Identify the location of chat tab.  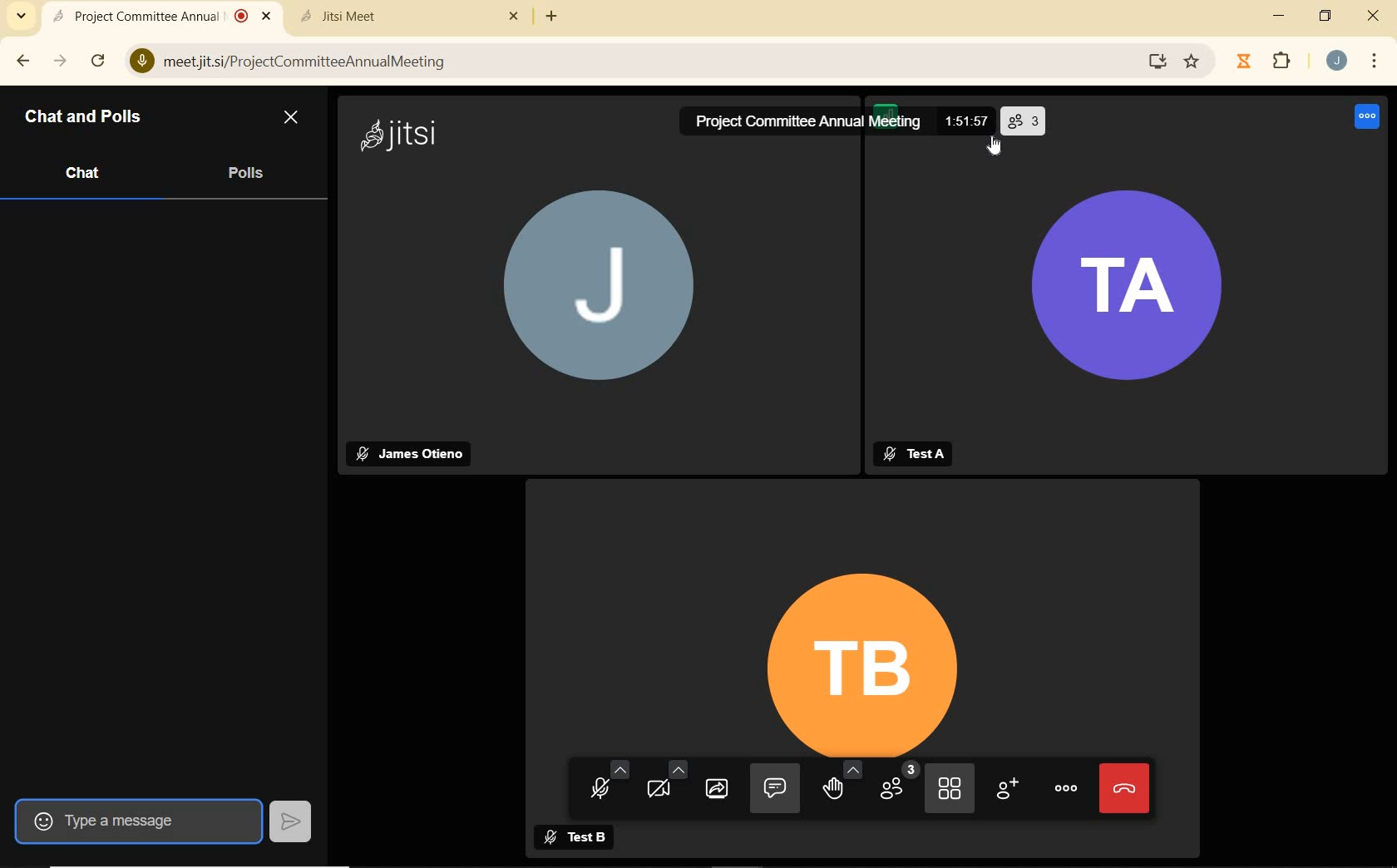
(84, 170).